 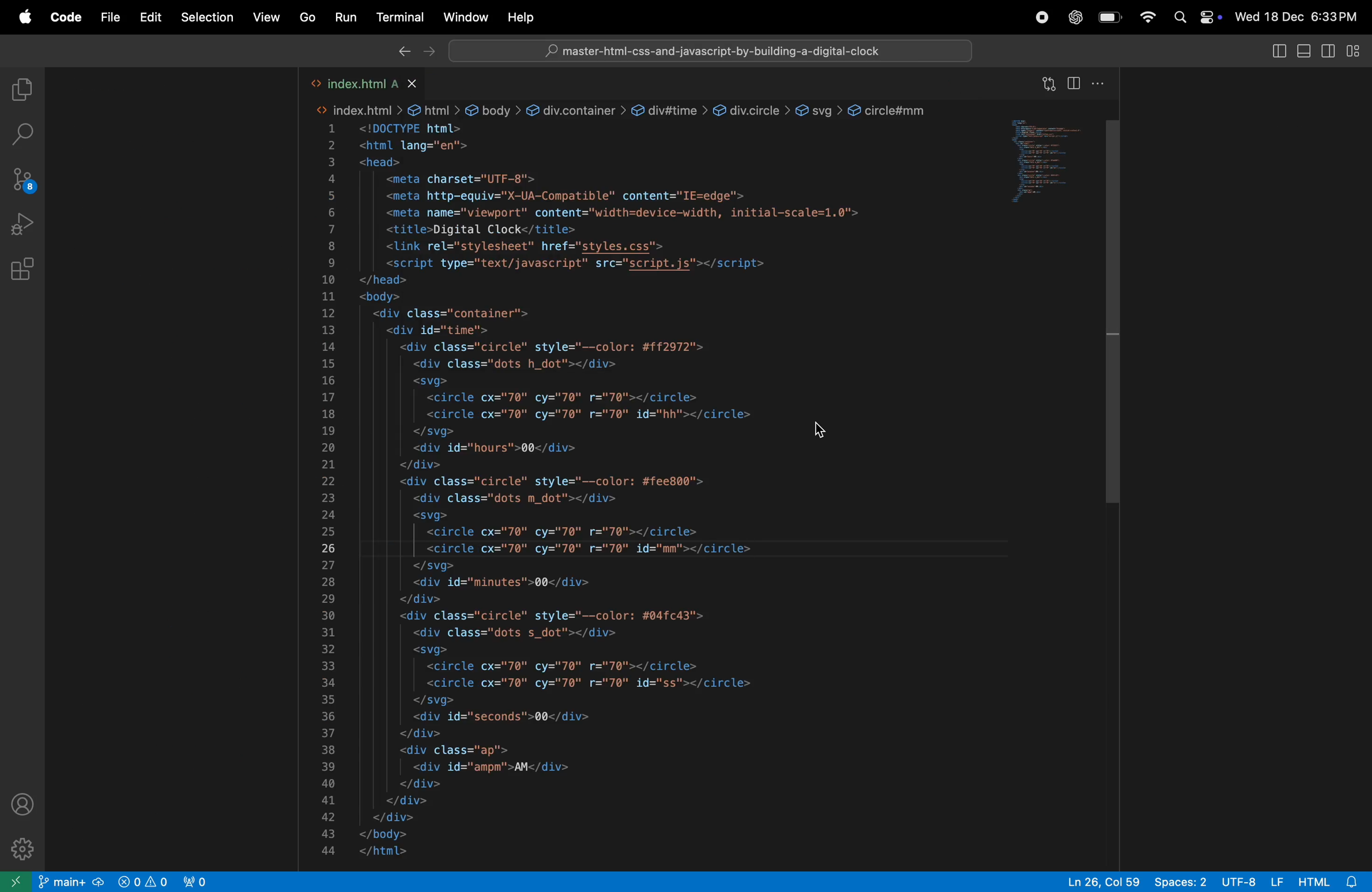 I want to click on view port, so click(x=144, y=882).